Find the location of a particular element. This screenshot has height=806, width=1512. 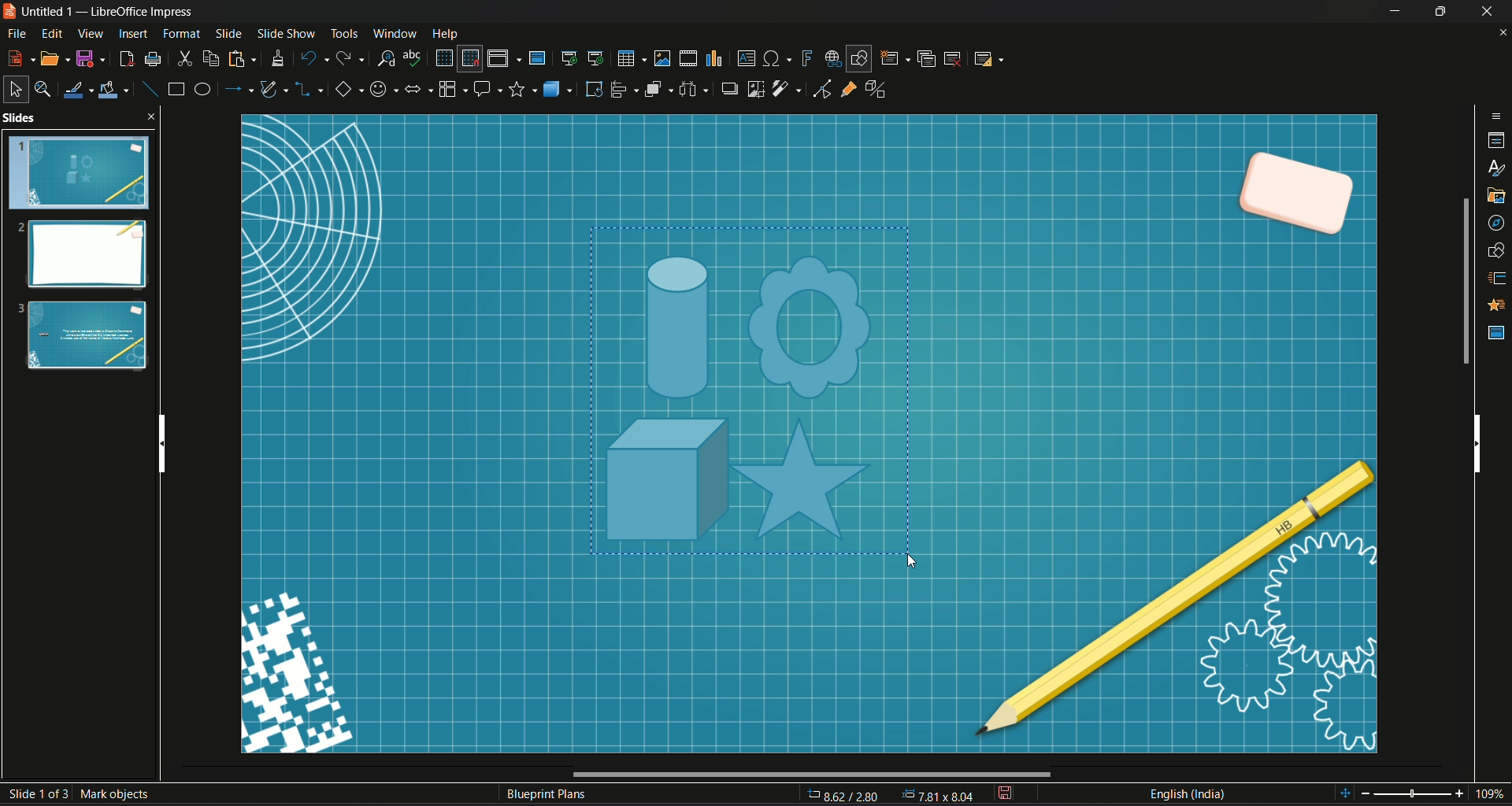

Language is located at coordinates (1187, 794).